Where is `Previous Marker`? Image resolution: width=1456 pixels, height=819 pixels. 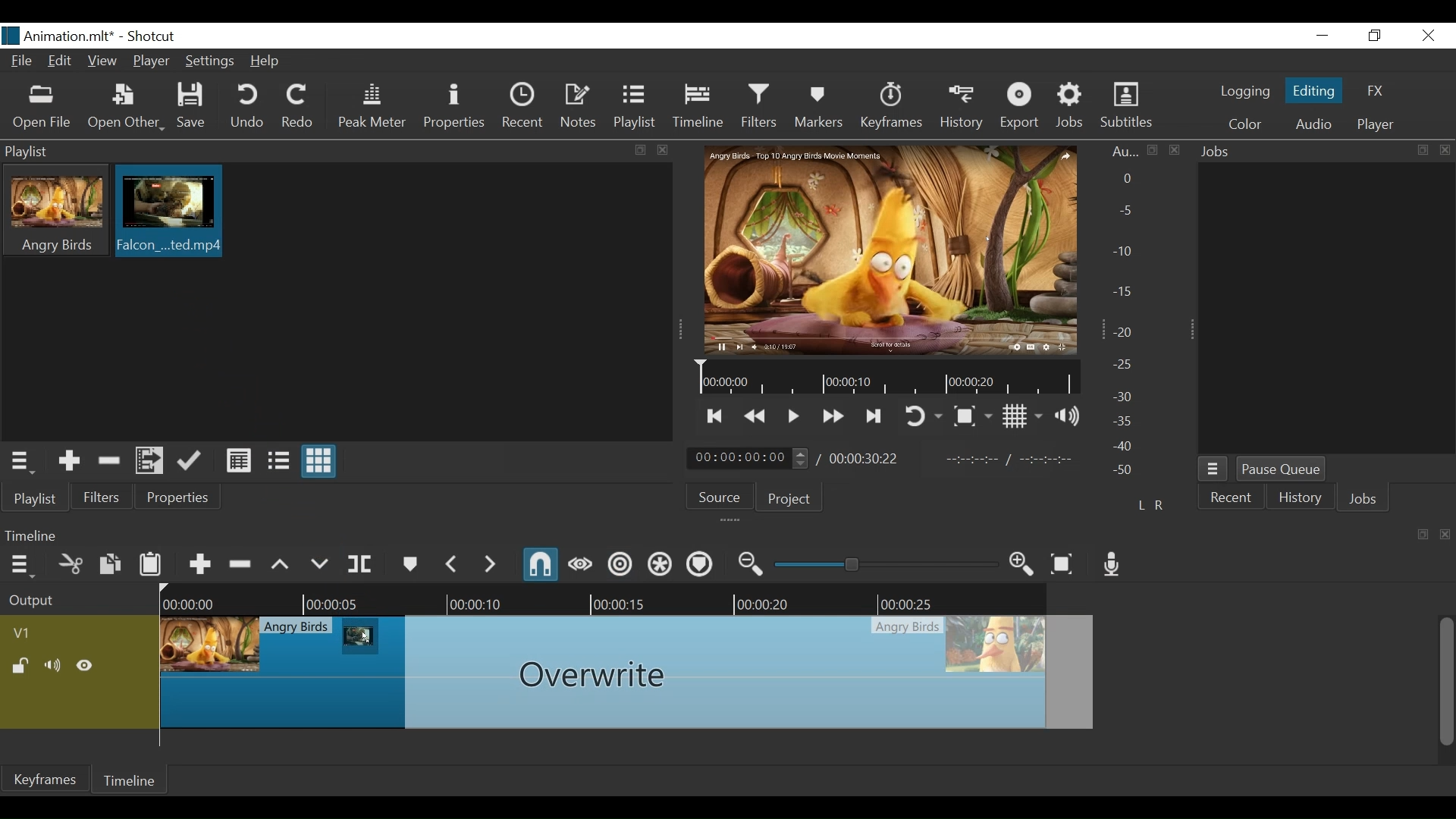 Previous Marker is located at coordinates (451, 563).